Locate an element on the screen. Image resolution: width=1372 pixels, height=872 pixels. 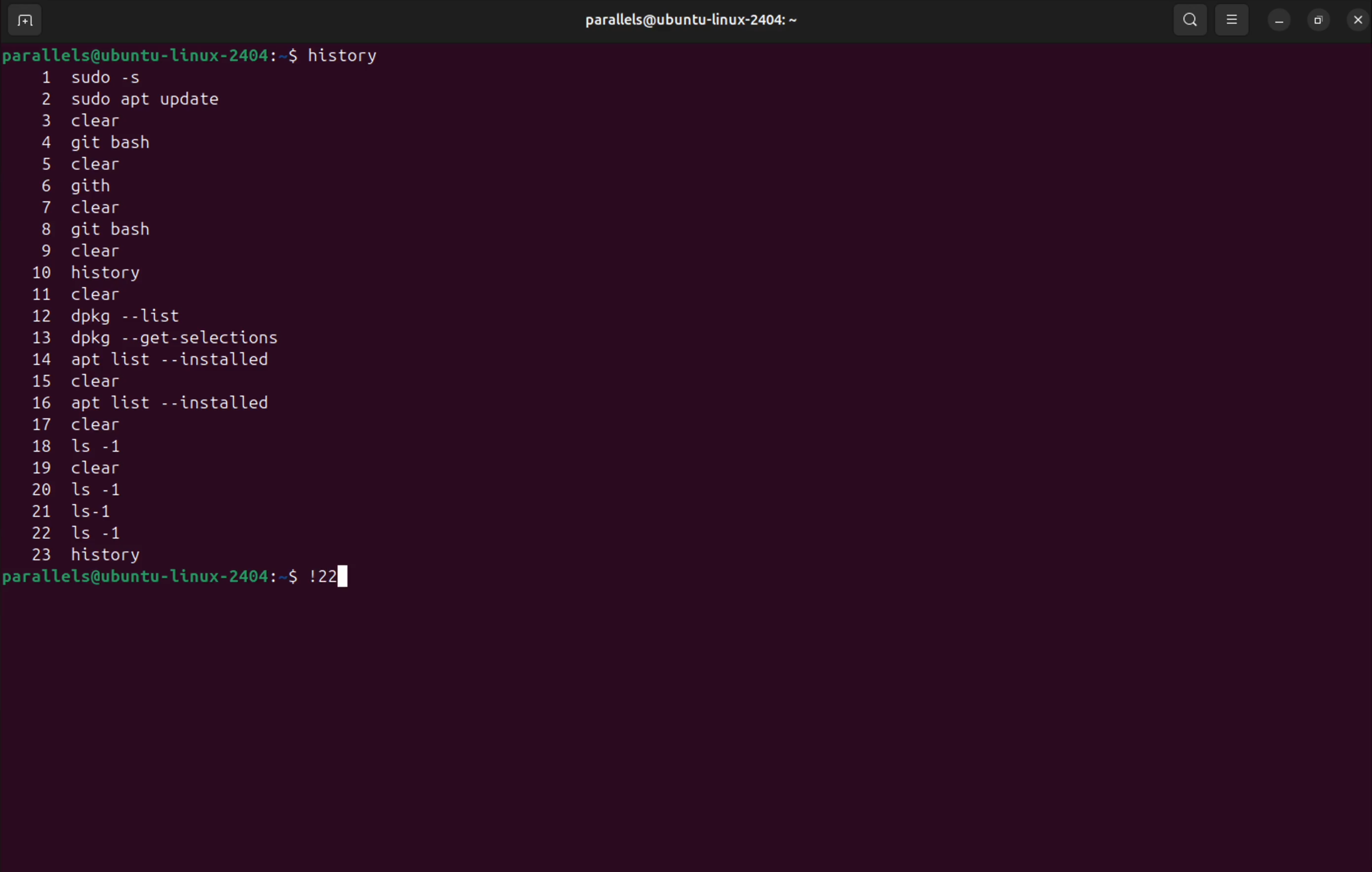
9 clear is located at coordinates (76, 252).